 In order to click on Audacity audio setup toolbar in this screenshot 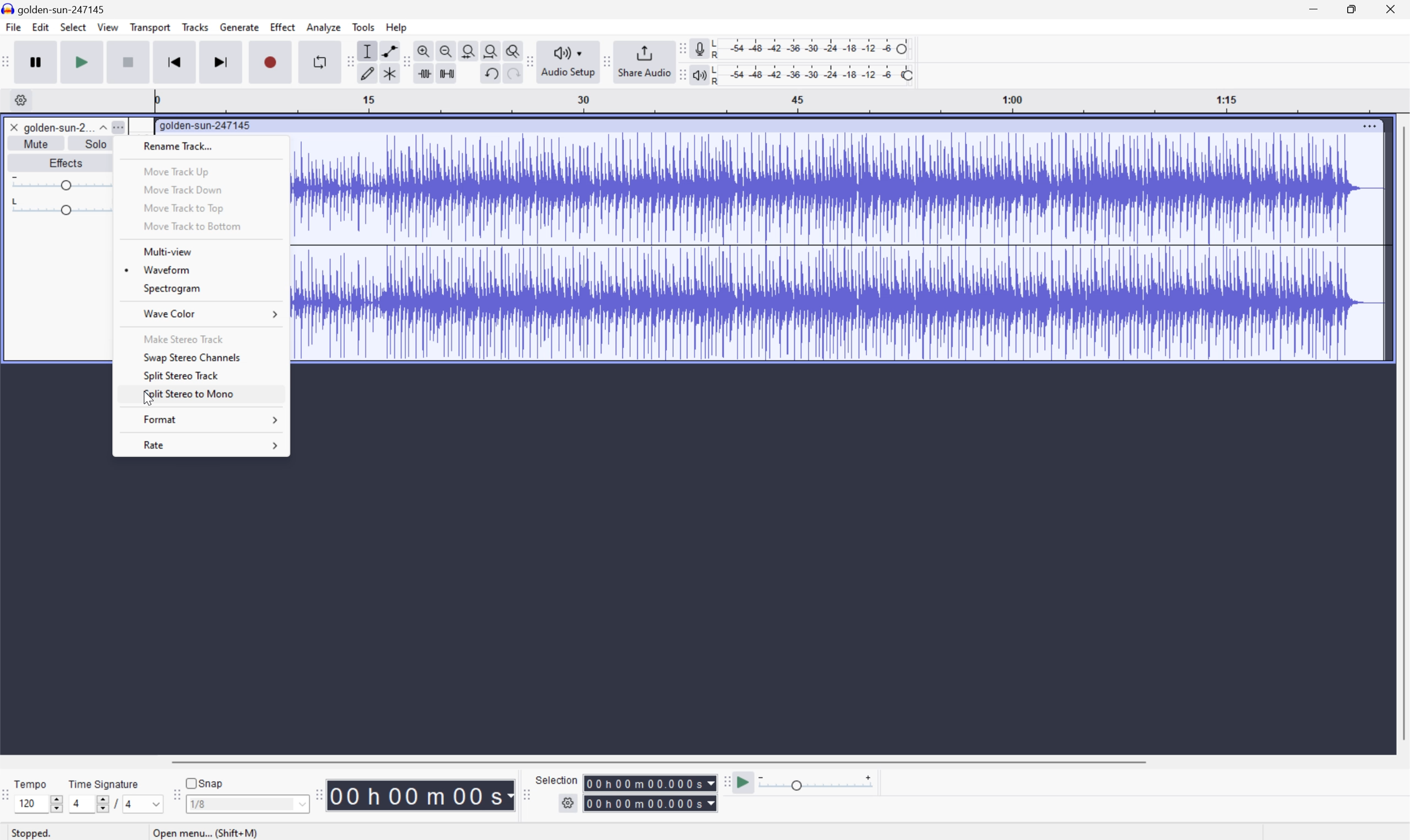, I will do `click(566, 59)`.